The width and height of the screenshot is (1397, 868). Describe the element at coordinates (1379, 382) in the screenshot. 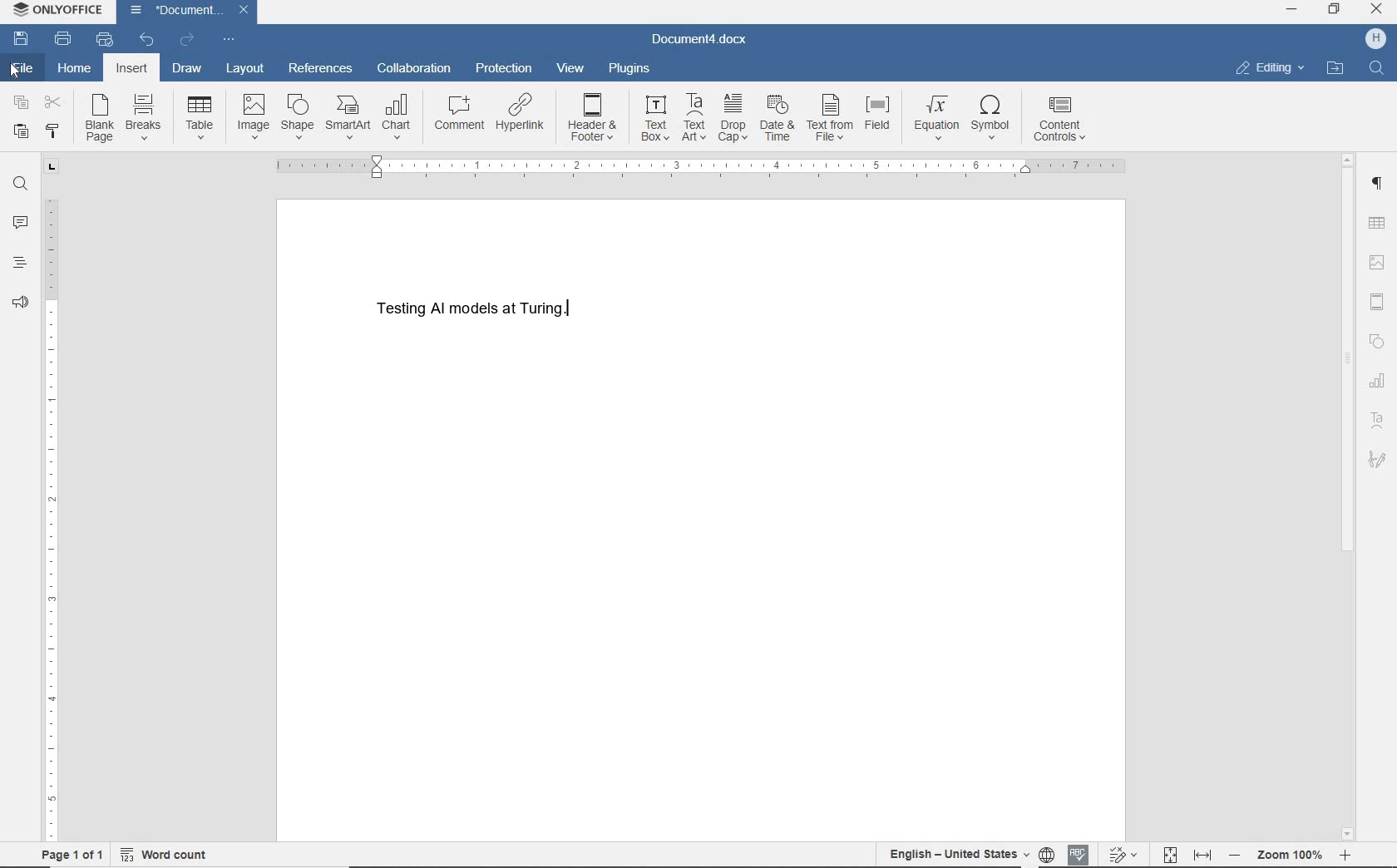

I see `chart` at that location.